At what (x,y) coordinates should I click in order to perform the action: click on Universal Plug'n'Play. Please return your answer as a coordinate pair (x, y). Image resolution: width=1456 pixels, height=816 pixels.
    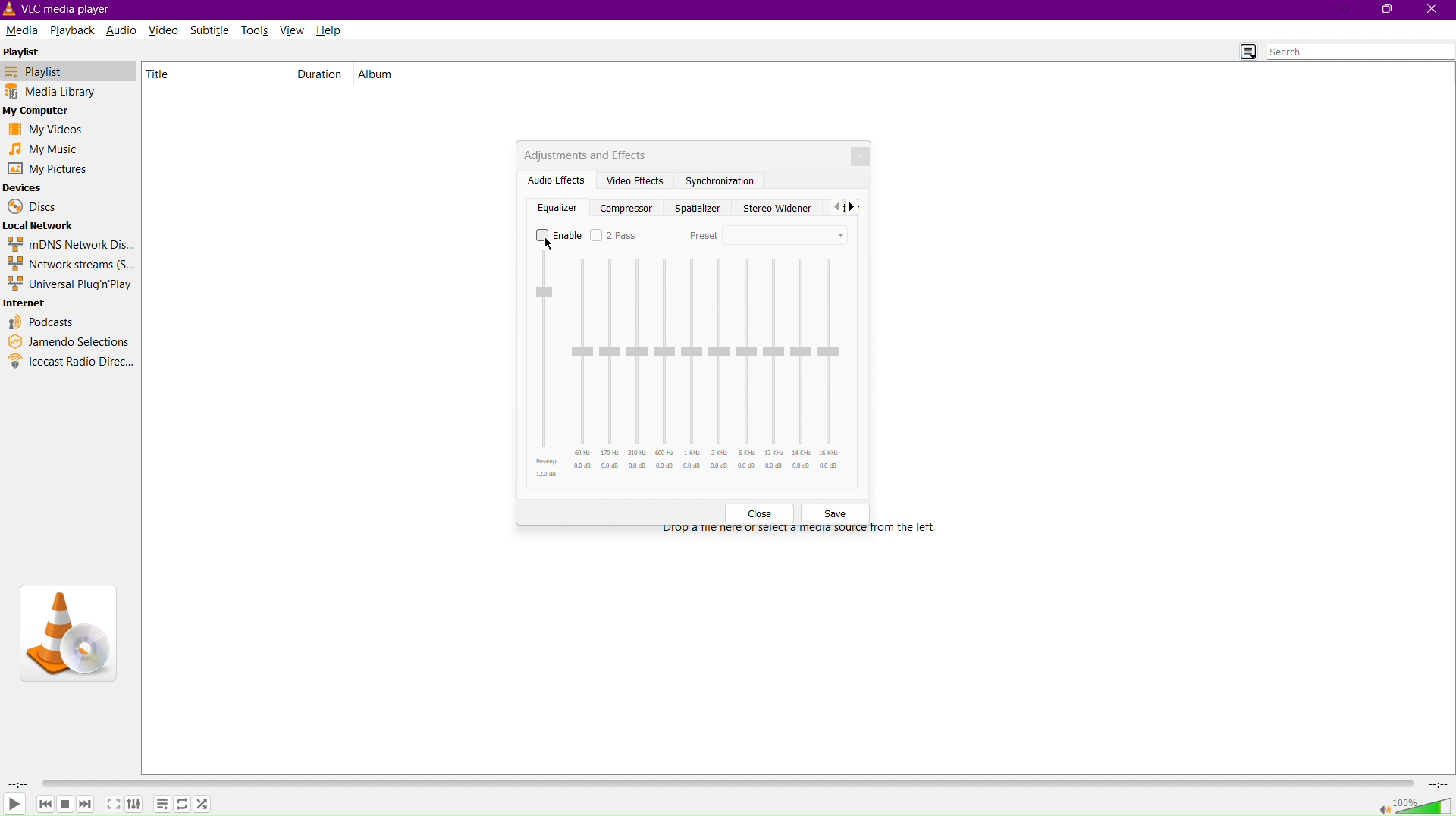
    Looking at the image, I should click on (70, 285).